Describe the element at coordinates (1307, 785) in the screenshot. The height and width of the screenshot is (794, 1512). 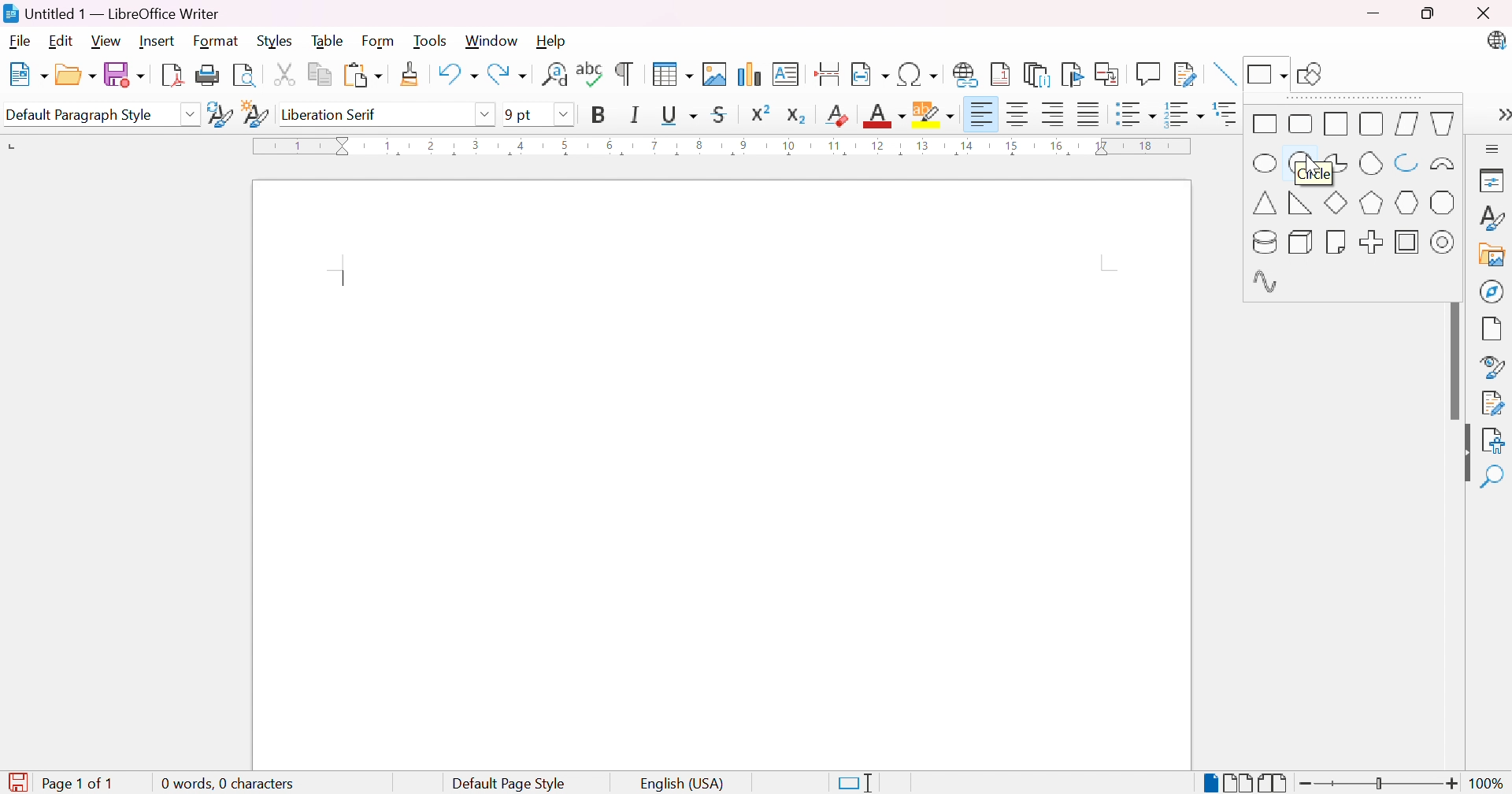
I see `Zoom out` at that location.